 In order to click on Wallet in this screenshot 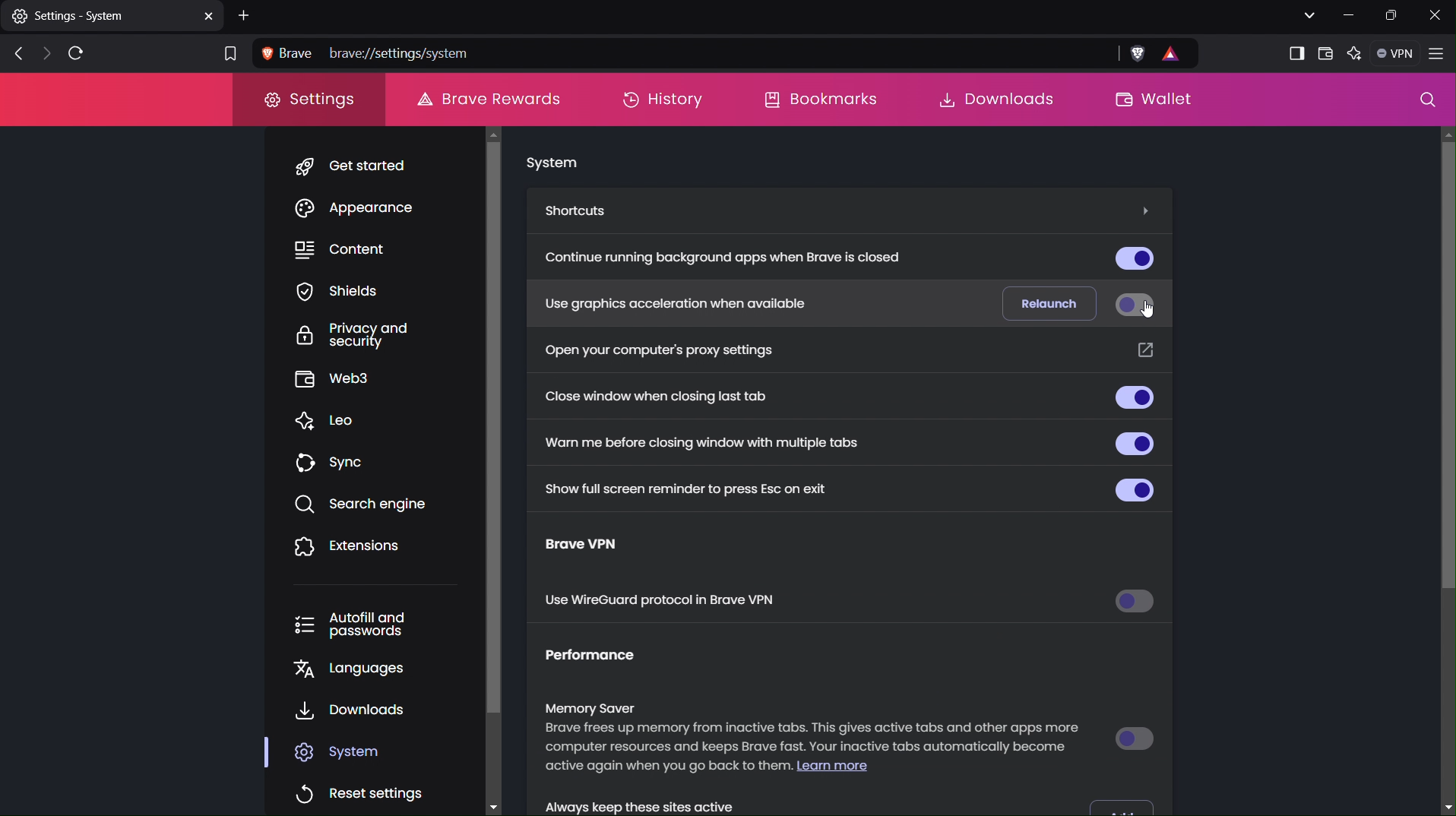, I will do `click(1151, 100)`.